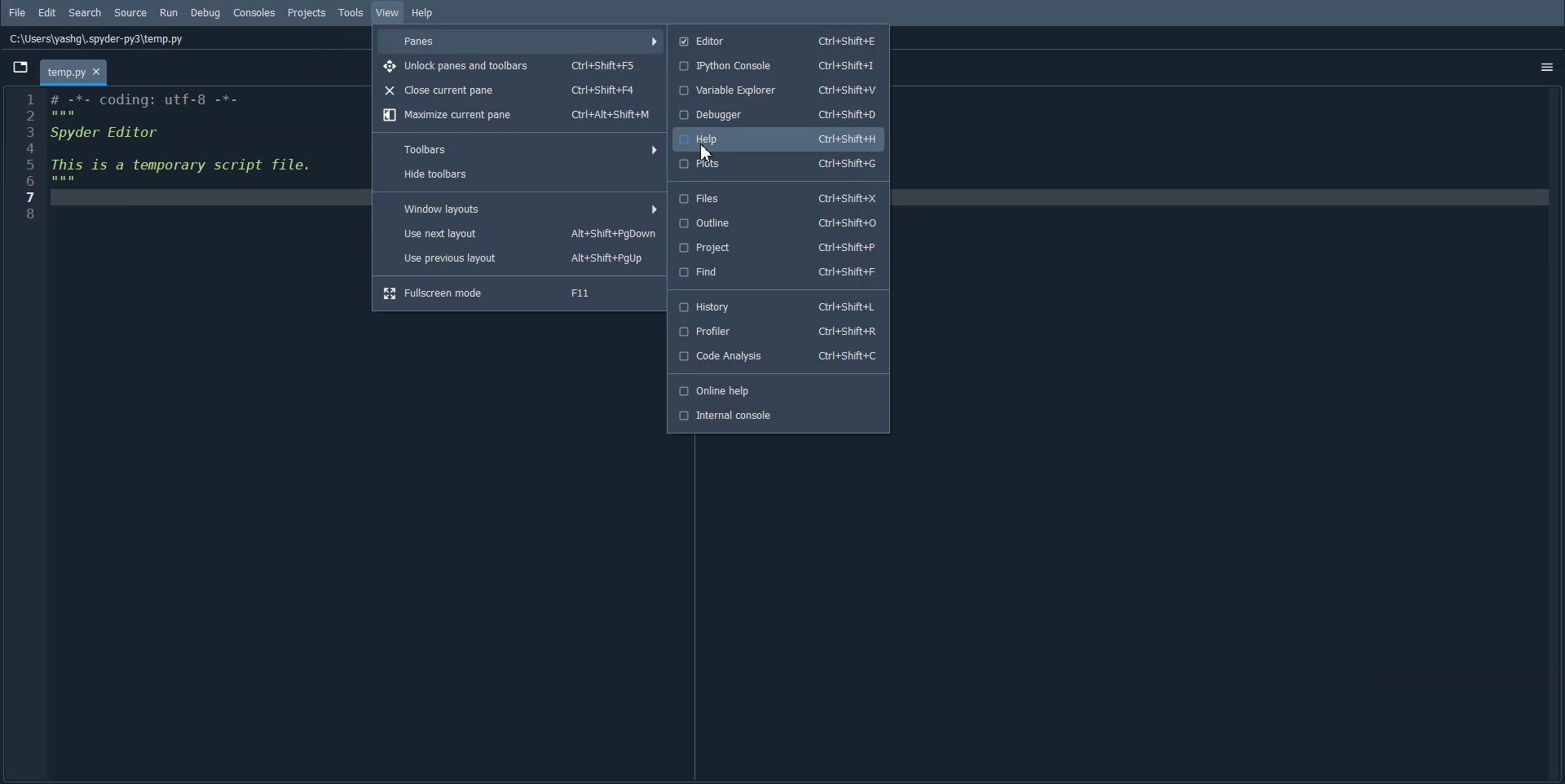 Image resolution: width=1565 pixels, height=784 pixels. Describe the element at coordinates (254, 13) in the screenshot. I see `Consoles` at that location.